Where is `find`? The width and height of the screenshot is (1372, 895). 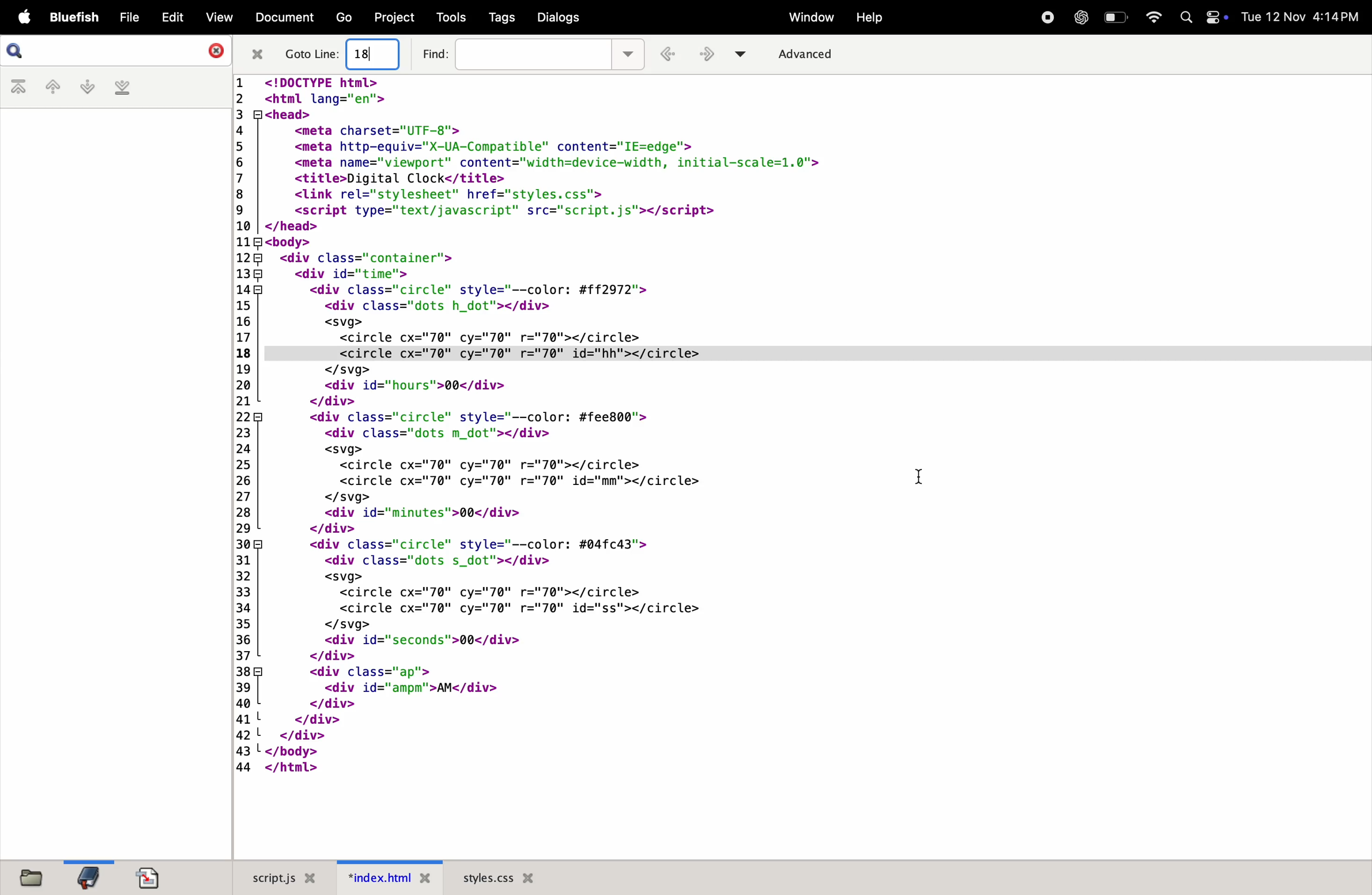 find is located at coordinates (434, 52).